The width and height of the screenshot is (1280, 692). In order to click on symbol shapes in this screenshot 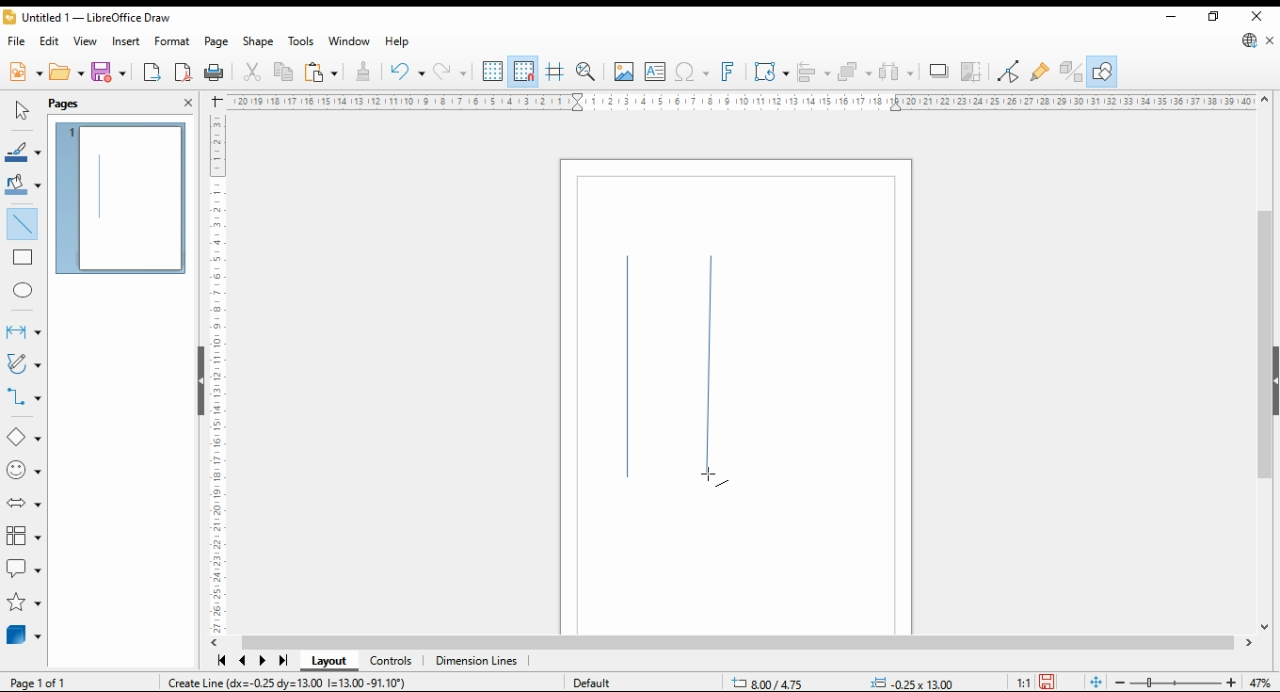, I will do `click(25, 471)`.